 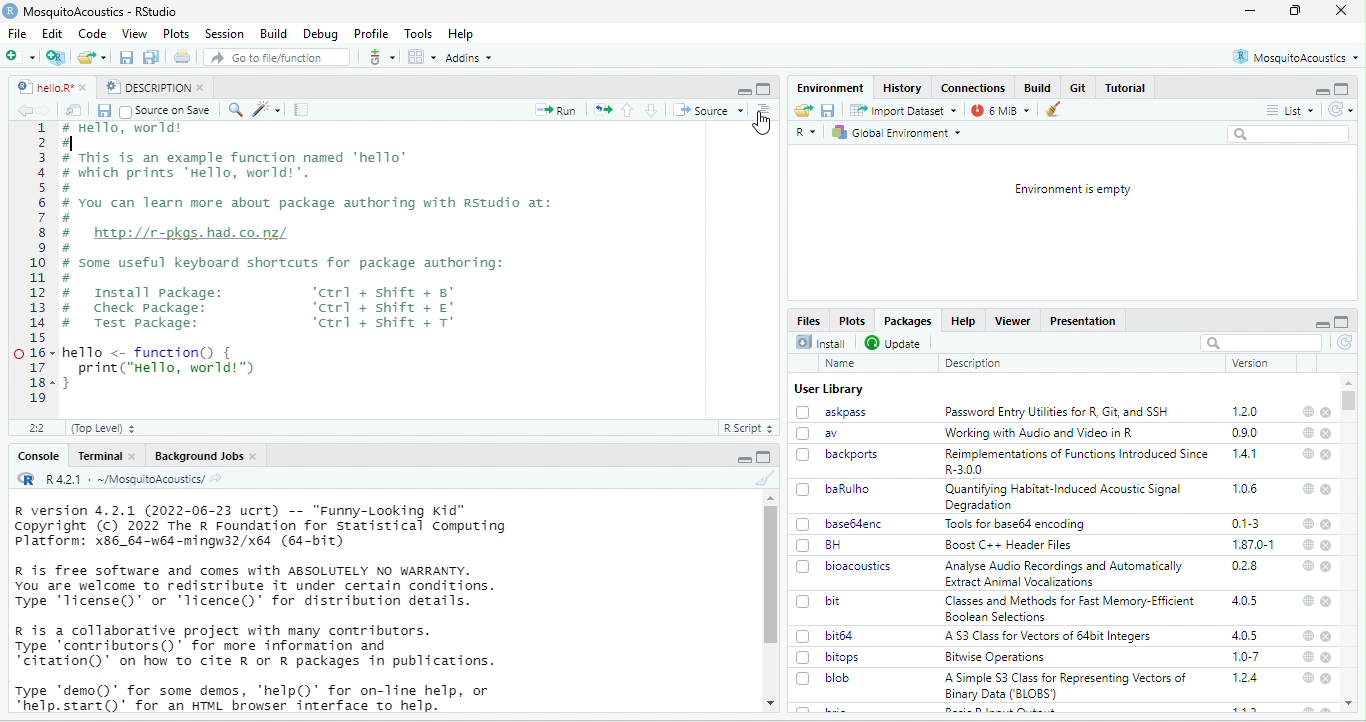 I want to click on 12:1, so click(x=40, y=427).